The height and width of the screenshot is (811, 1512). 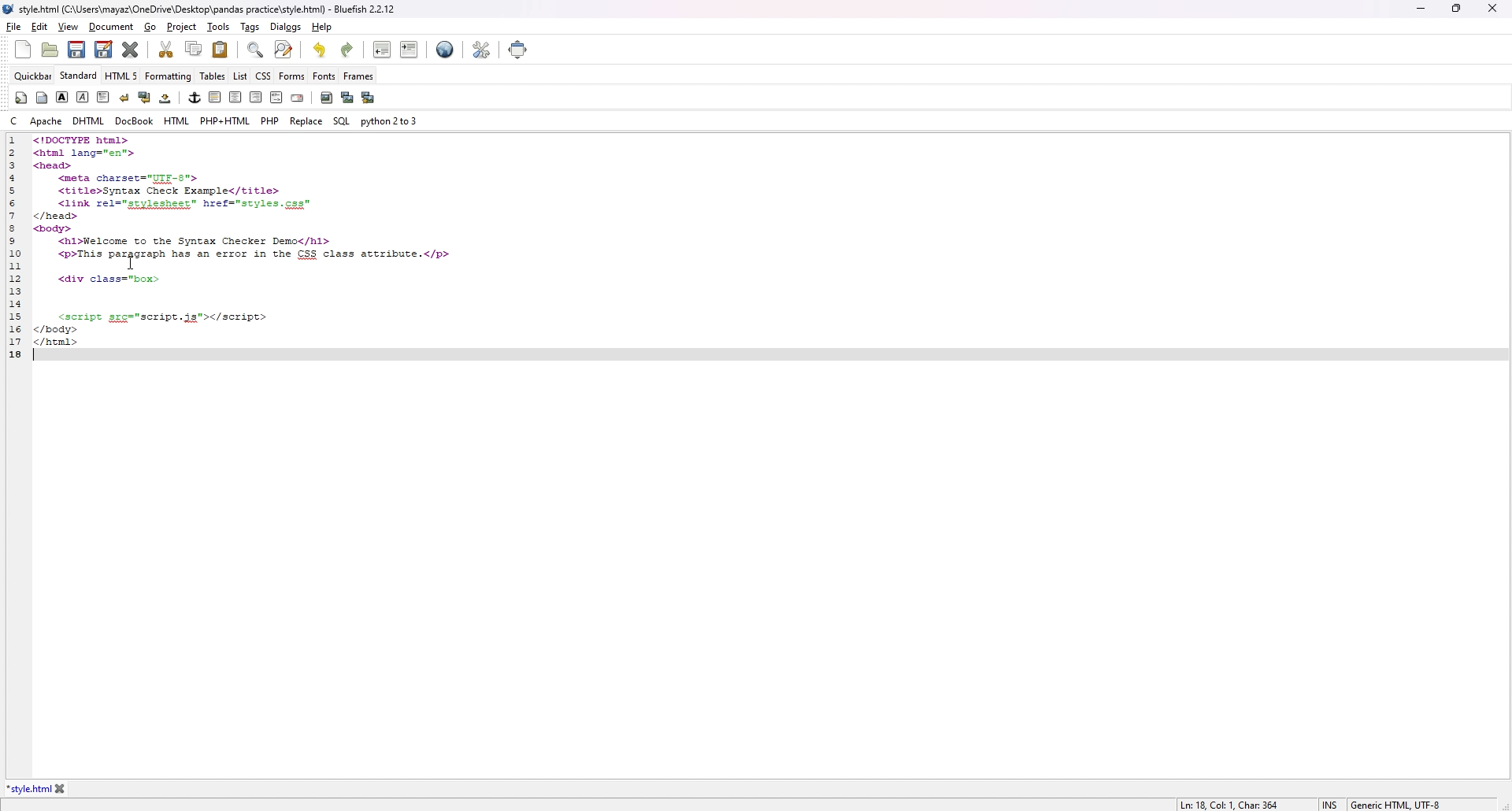 What do you see at coordinates (346, 97) in the screenshot?
I see `insert thumbnail` at bounding box center [346, 97].